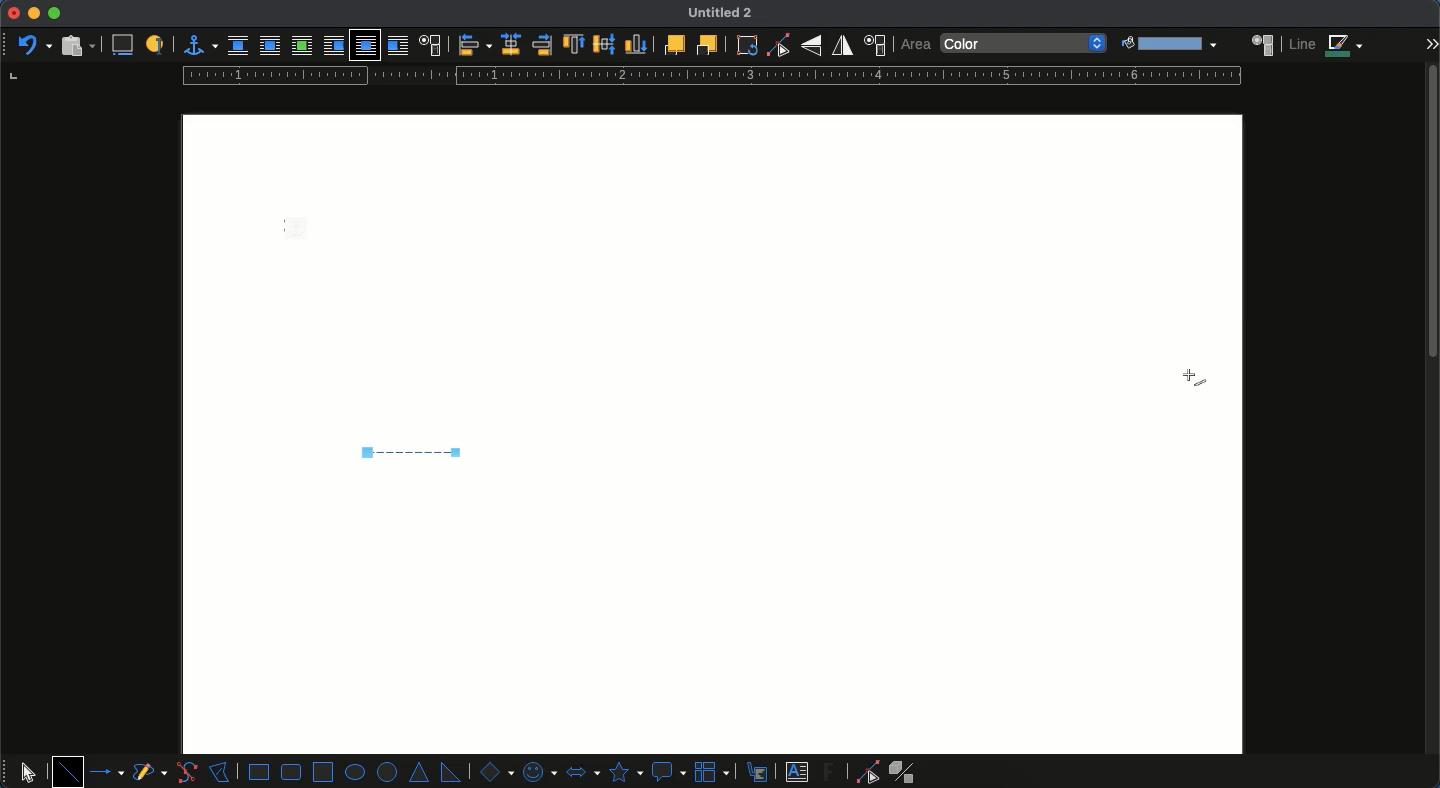 This screenshot has height=788, width=1440. Describe the element at coordinates (33, 43) in the screenshot. I see `undo` at that location.